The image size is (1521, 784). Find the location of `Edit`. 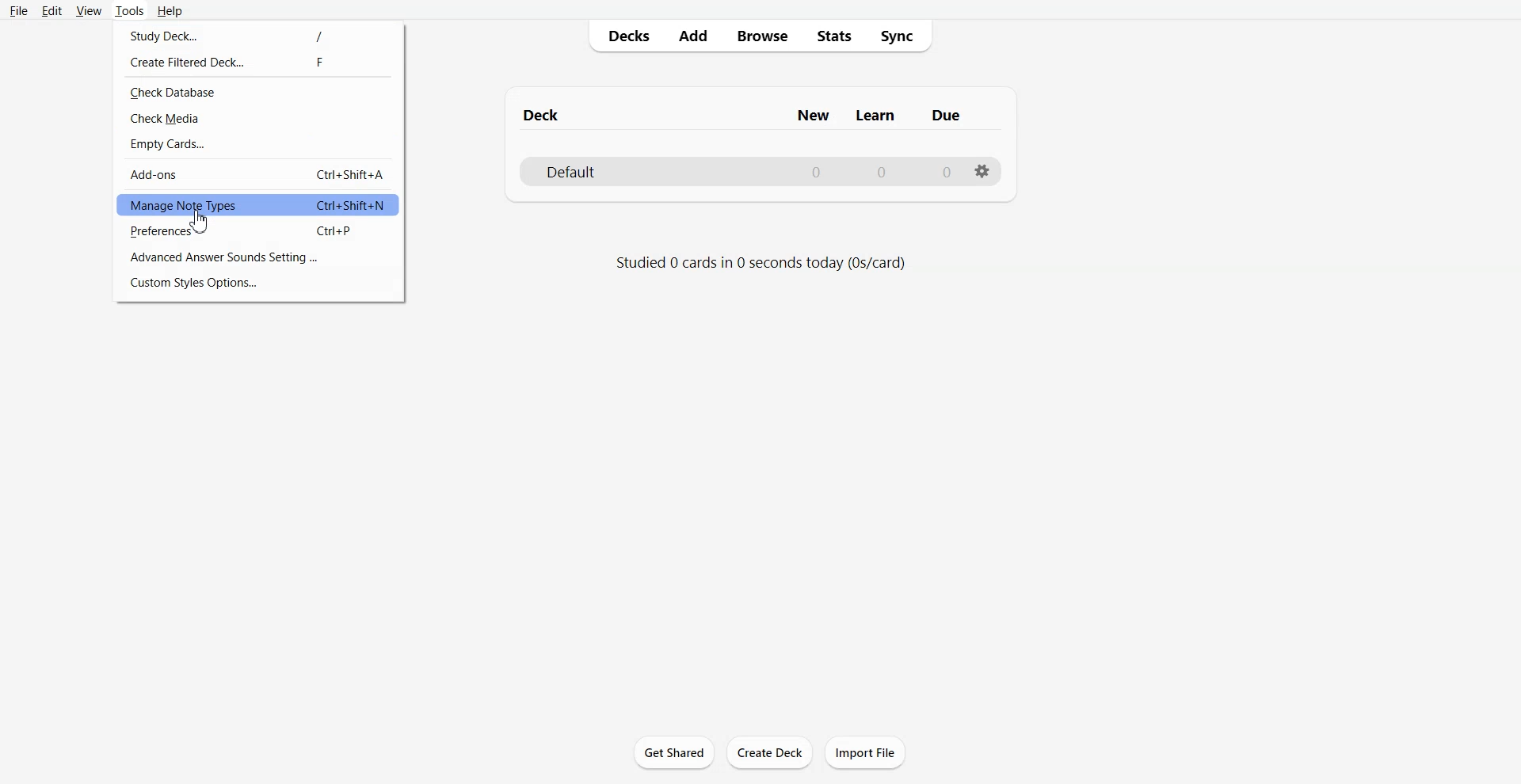

Edit is located at coordinates (51, 10).